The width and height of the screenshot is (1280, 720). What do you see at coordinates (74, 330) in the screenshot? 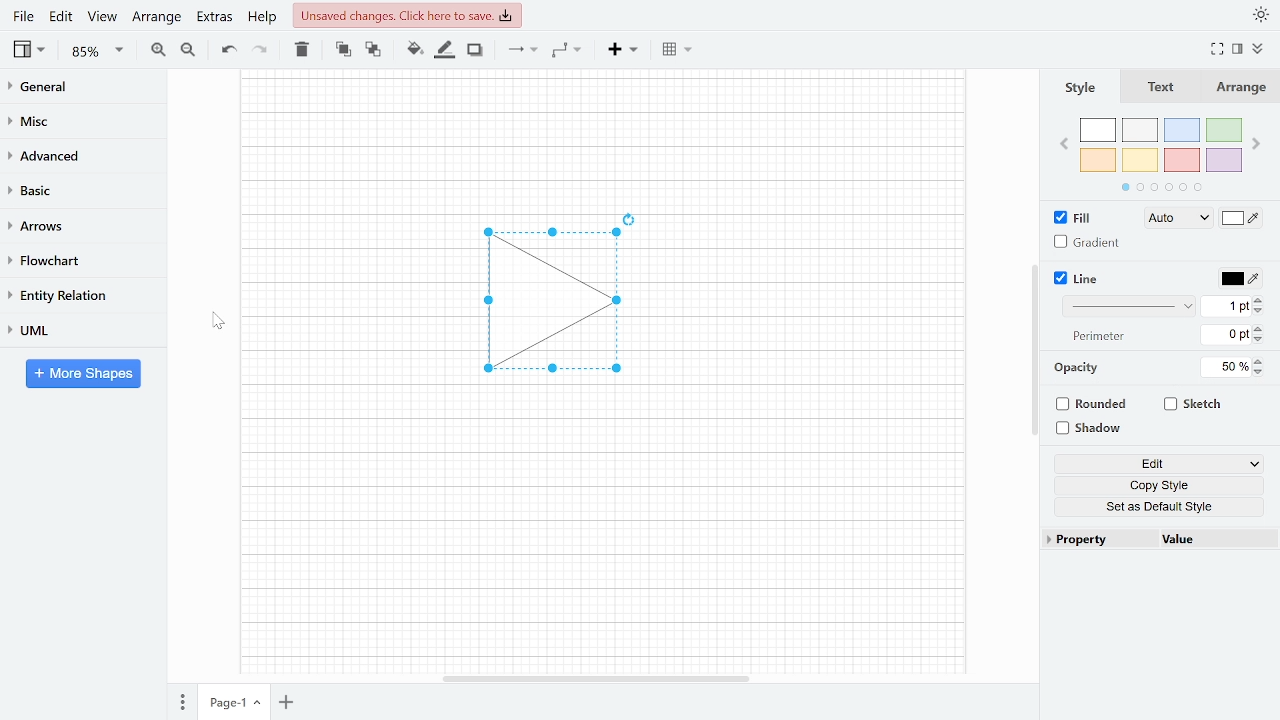
I see `UML` at bounding box center [74, 330].